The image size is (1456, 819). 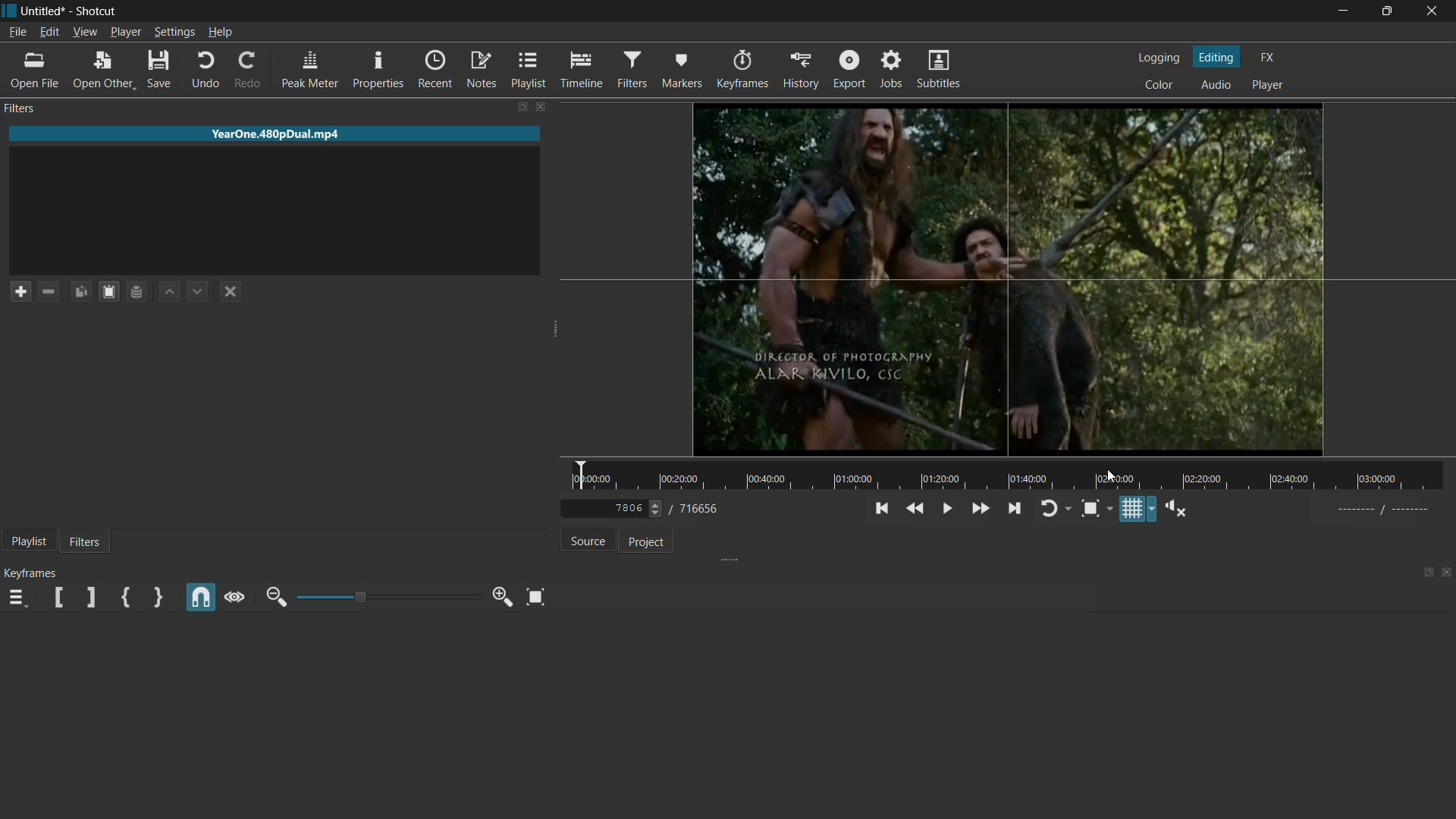 What do you see at coordinates (33, 573) in the screenshot?
I see `keyframes` at bounding box center [33, 573].